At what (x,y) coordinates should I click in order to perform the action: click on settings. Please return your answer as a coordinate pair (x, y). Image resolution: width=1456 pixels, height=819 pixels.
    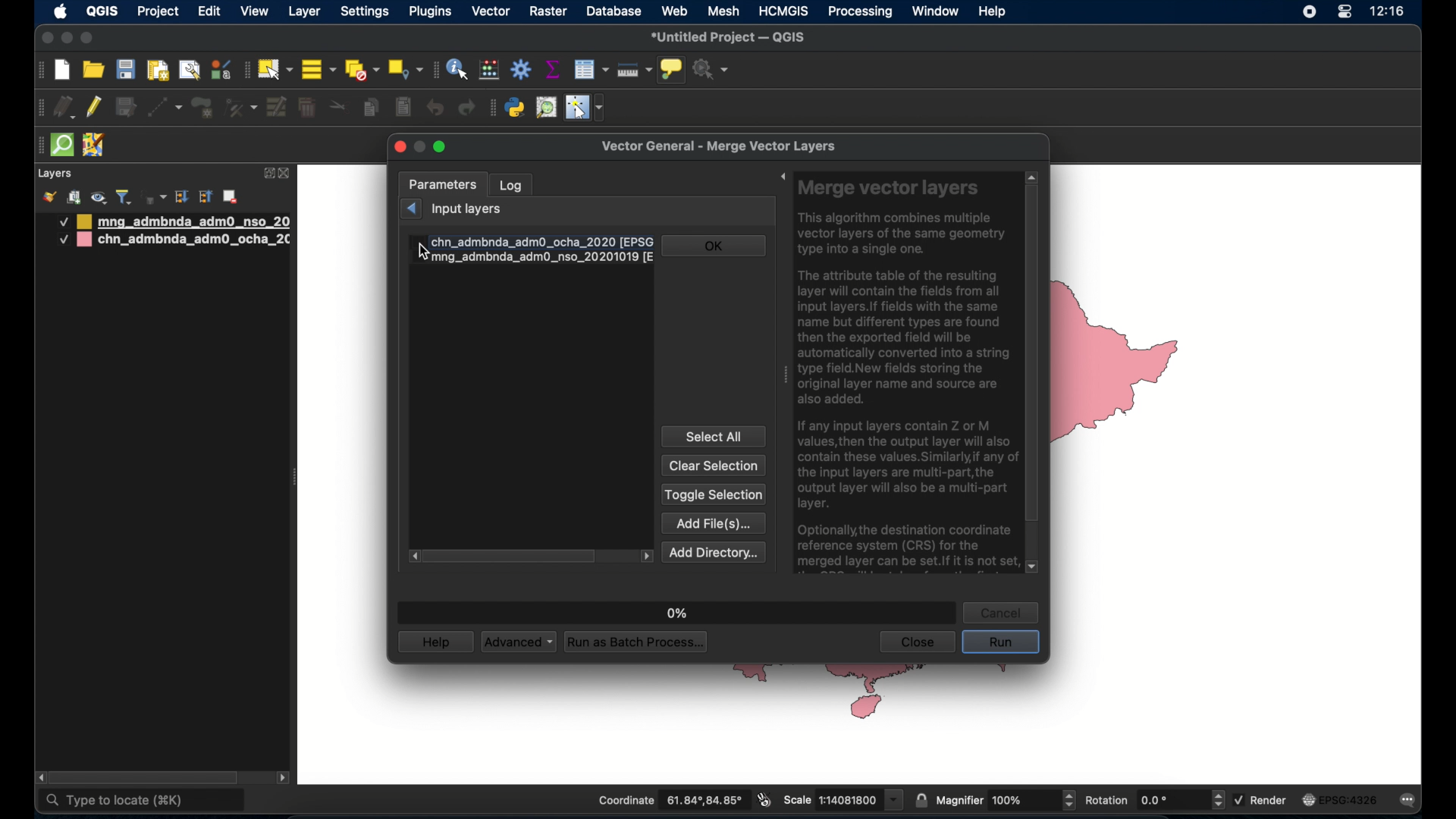
    Looking at the image, I should click on (366, 13).